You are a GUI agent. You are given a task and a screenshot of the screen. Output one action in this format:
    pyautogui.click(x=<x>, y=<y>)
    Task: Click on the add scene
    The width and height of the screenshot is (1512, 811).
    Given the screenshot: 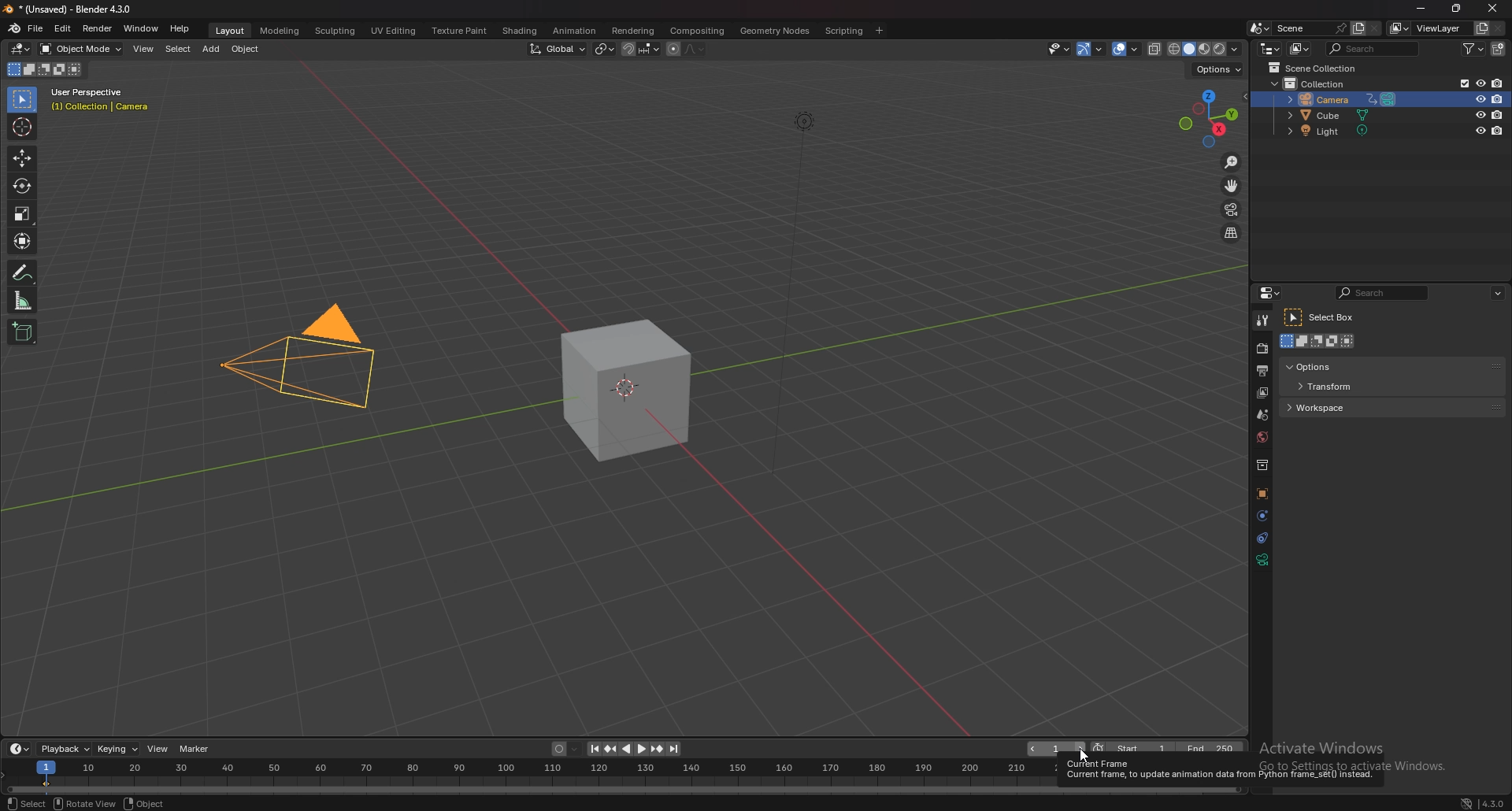 What is the action you would take?
    pyautogui.click(x=1357, y=29)
    